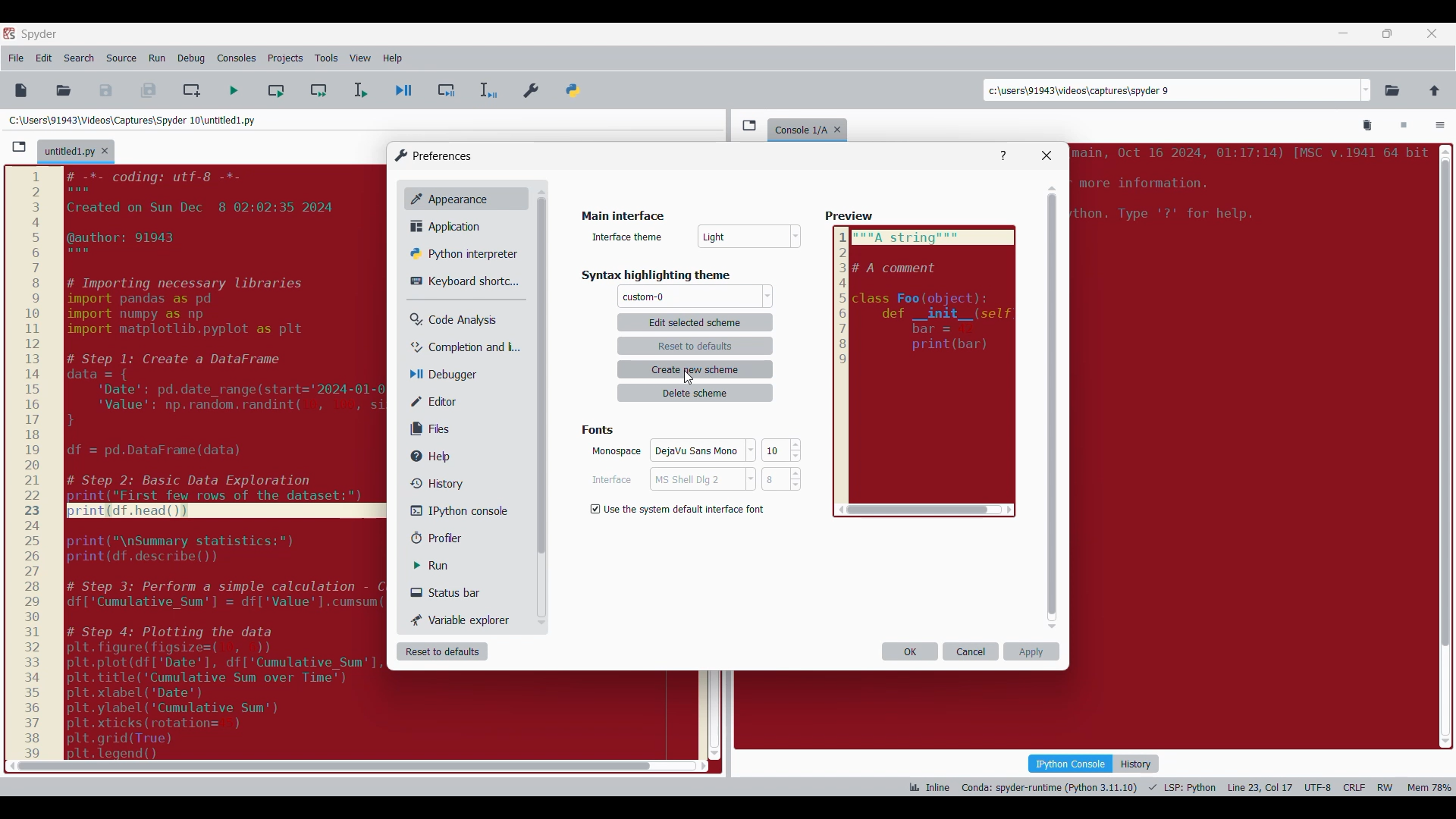  What do you see at coordinates (191, 58) in the screenshot?
I see `Debug menu` at bounding box center [191, 58].